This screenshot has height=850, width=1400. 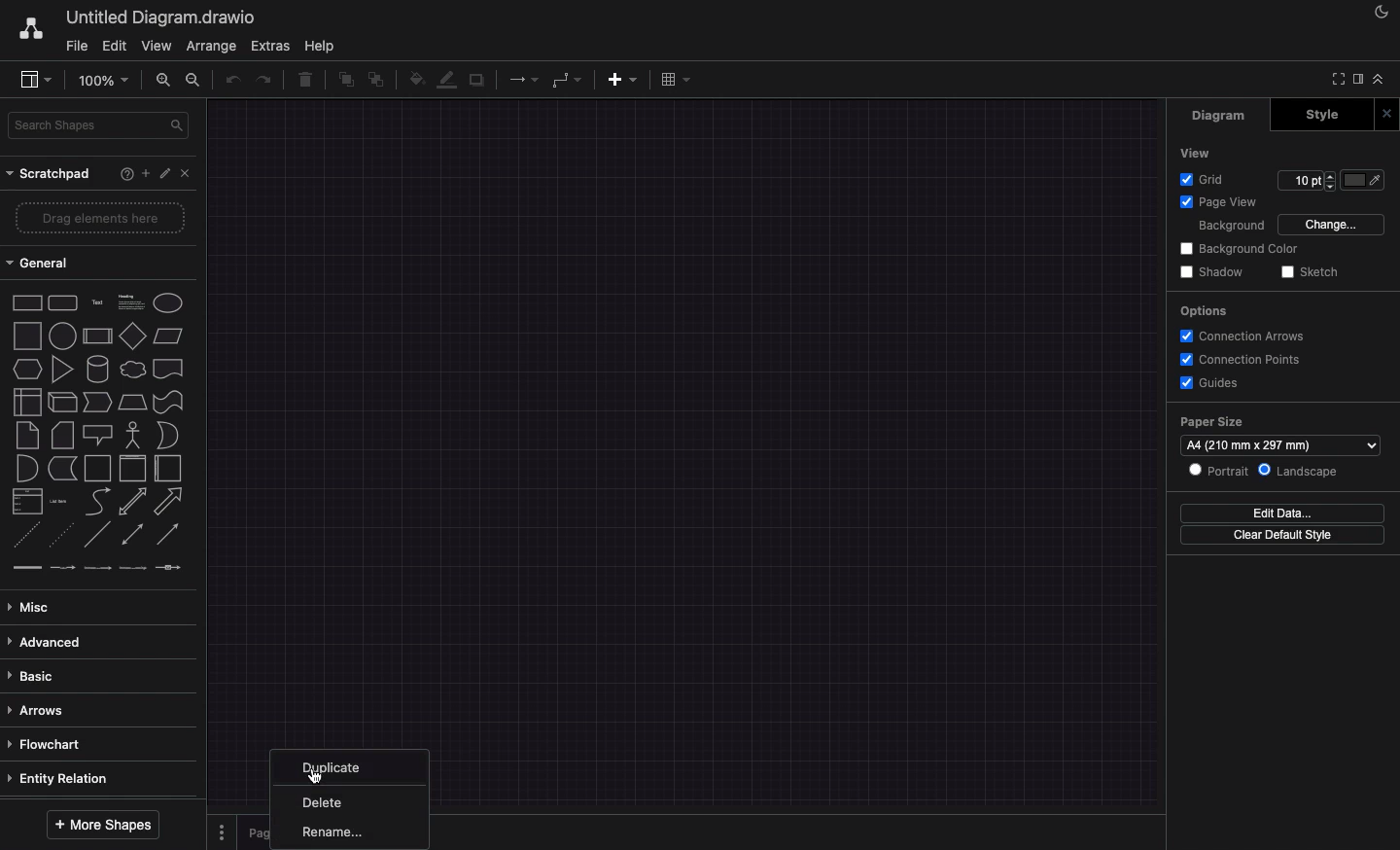 I want to click on options, so click(x=221, y=832).